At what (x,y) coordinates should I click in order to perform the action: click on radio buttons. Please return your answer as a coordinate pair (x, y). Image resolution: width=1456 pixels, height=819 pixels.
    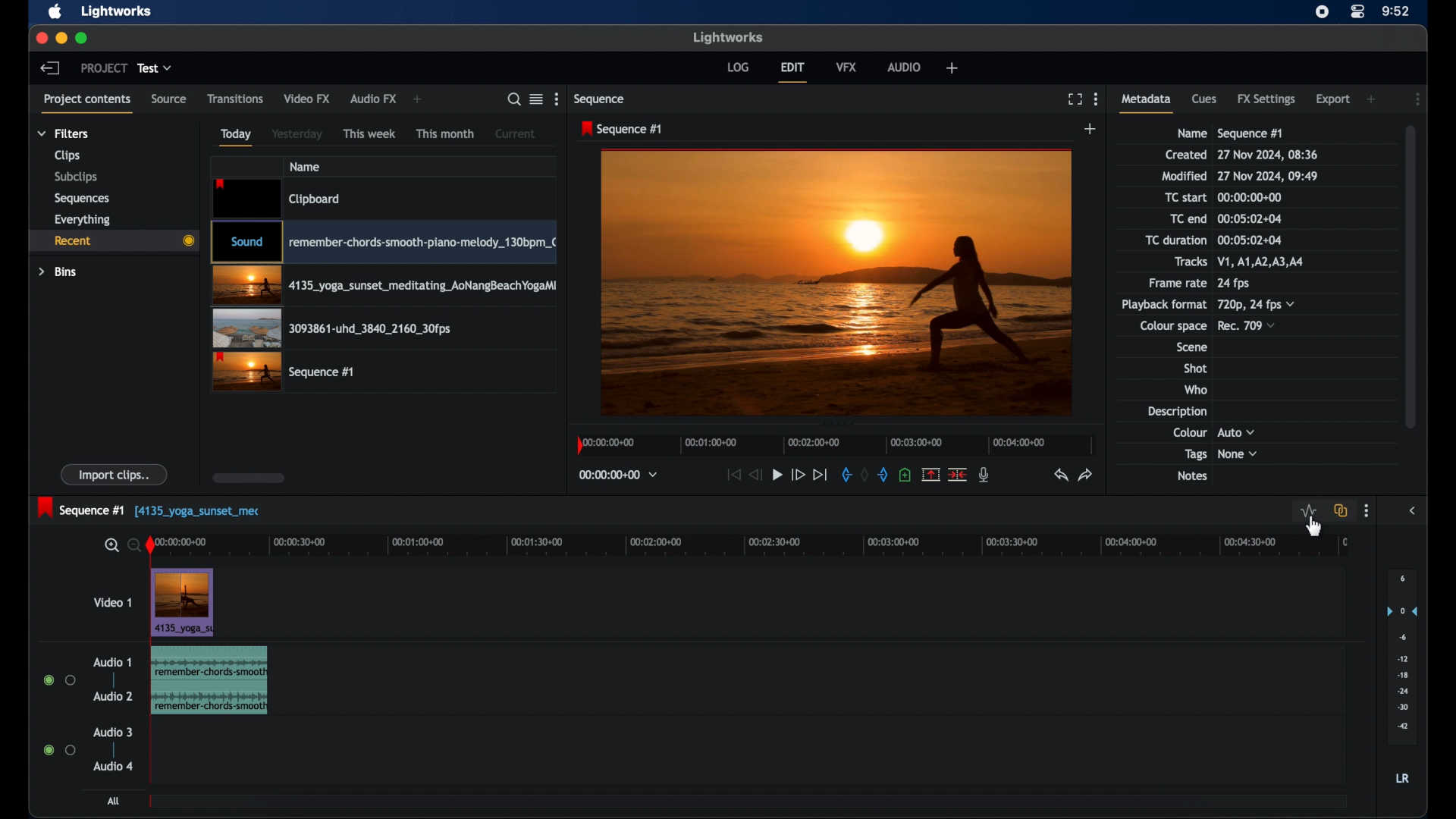
    Looking at the image, I should click on (58, 749).